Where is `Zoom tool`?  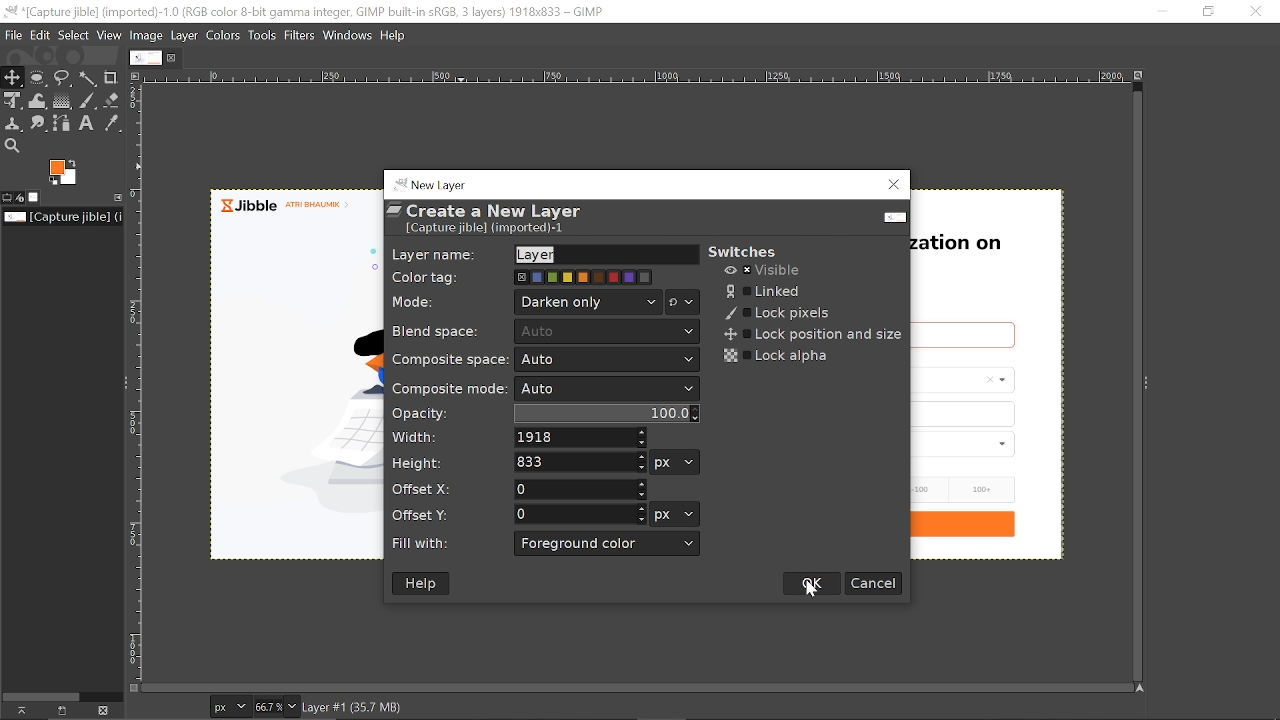
Zoom tool is located at coordinates (11, 145).